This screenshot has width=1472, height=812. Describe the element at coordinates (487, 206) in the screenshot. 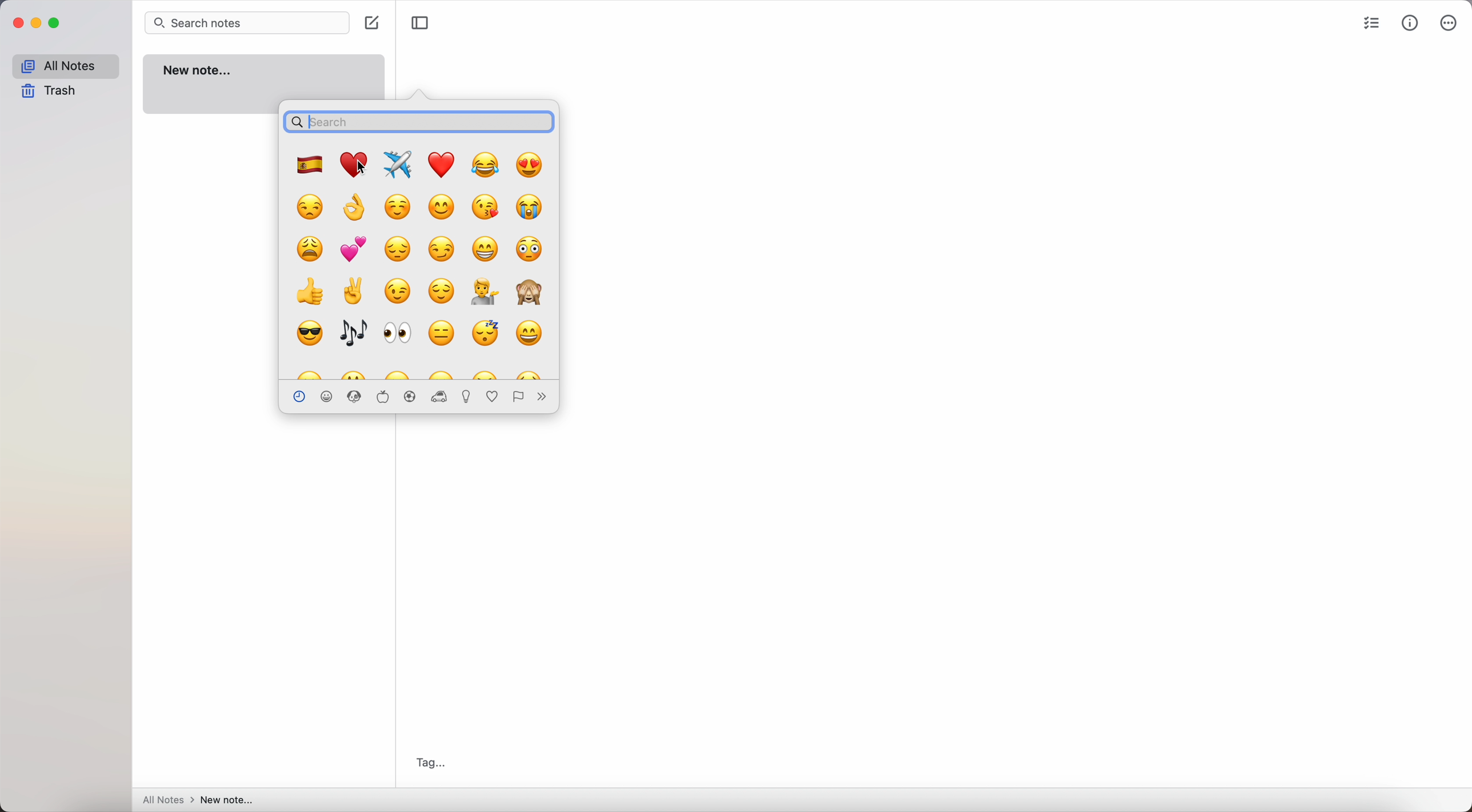

I see `emoji` at that location.